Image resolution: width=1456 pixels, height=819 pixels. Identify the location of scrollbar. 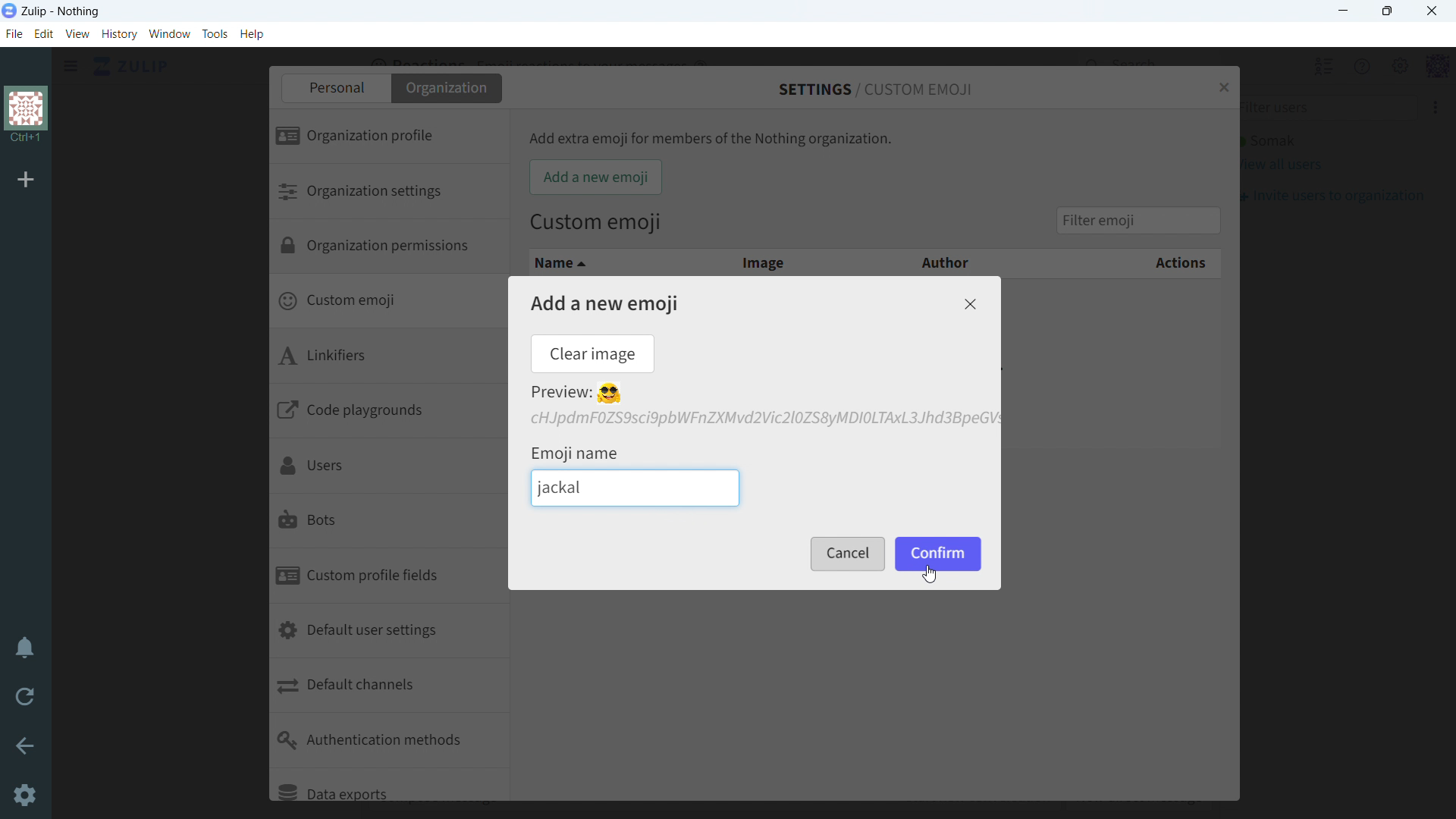
(586, 513).